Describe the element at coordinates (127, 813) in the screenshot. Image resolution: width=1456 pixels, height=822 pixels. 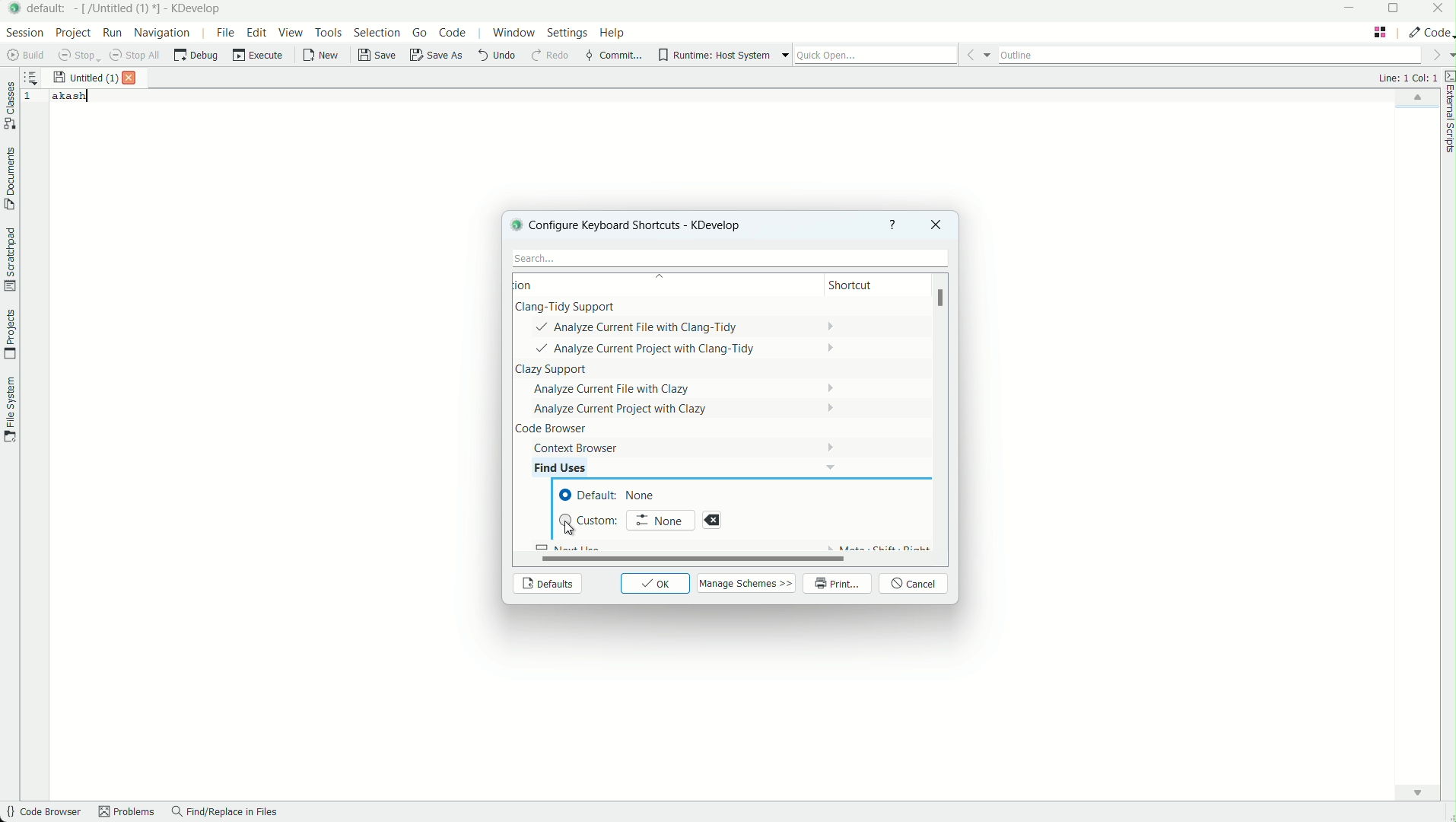
I see `problems` at that location.